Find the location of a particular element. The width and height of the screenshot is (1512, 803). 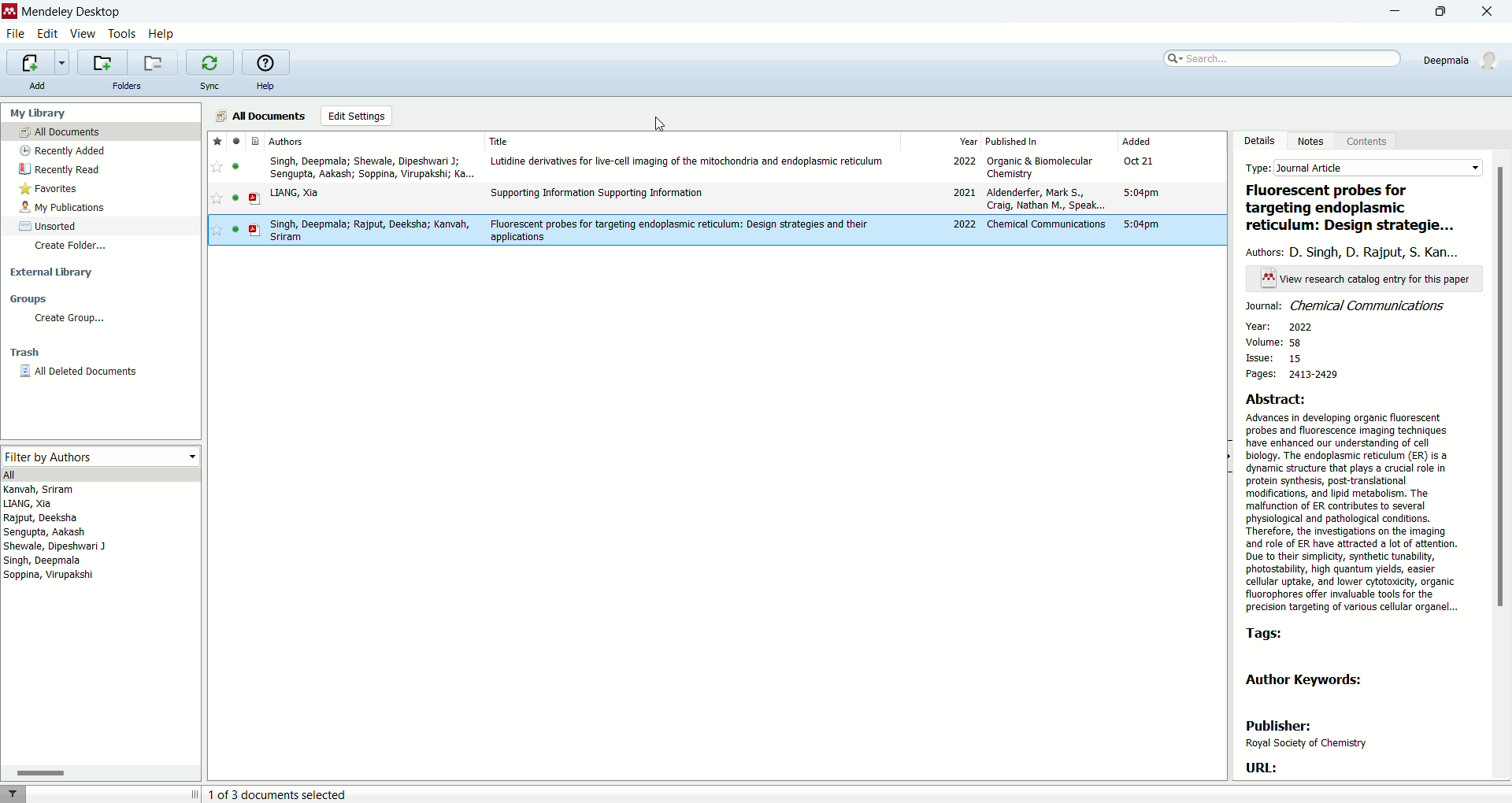

type is located at coordinates (1365, 168).